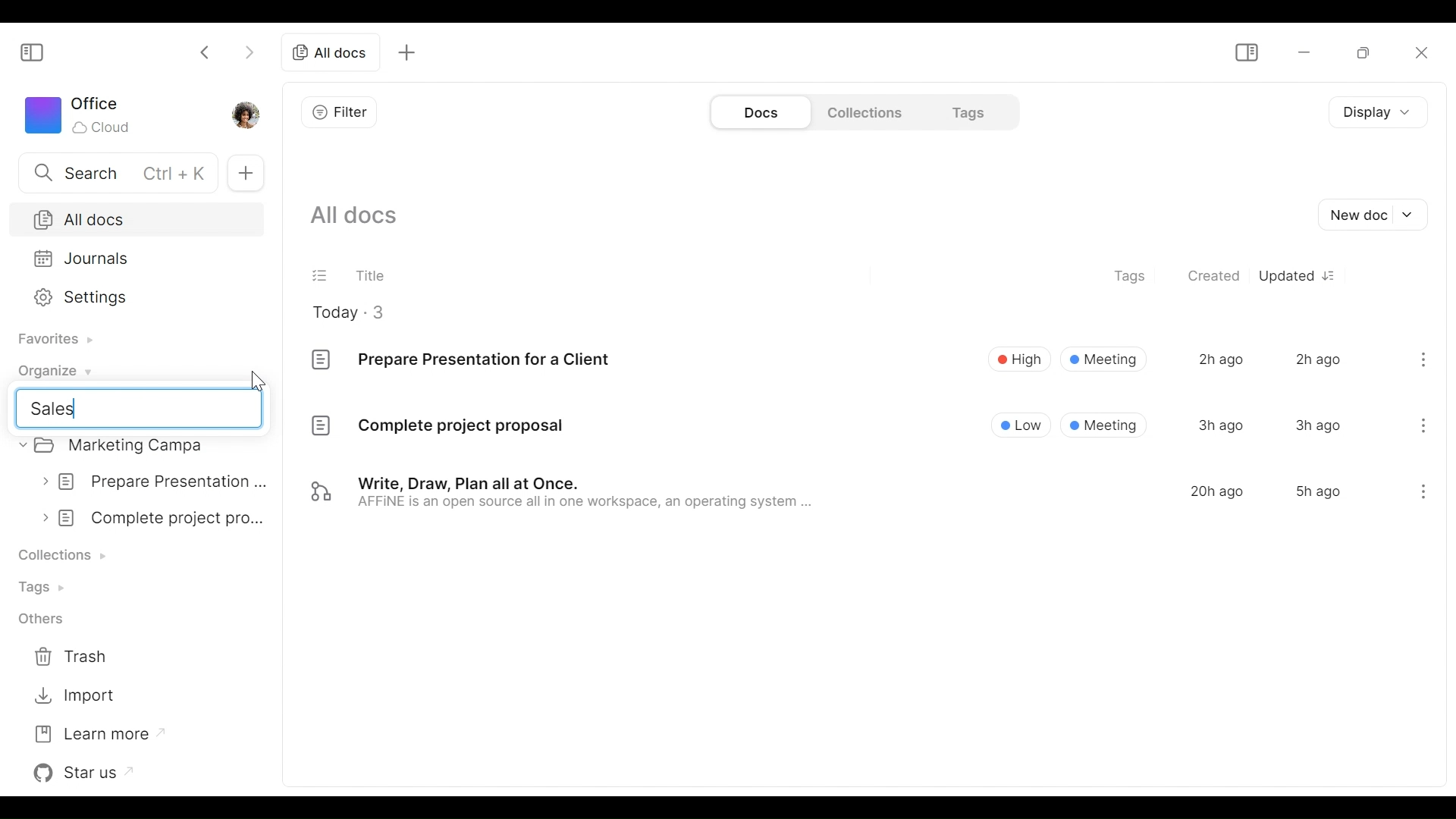 The image size is (1456, 819). I want to click on Sort, so click(1334, 275).